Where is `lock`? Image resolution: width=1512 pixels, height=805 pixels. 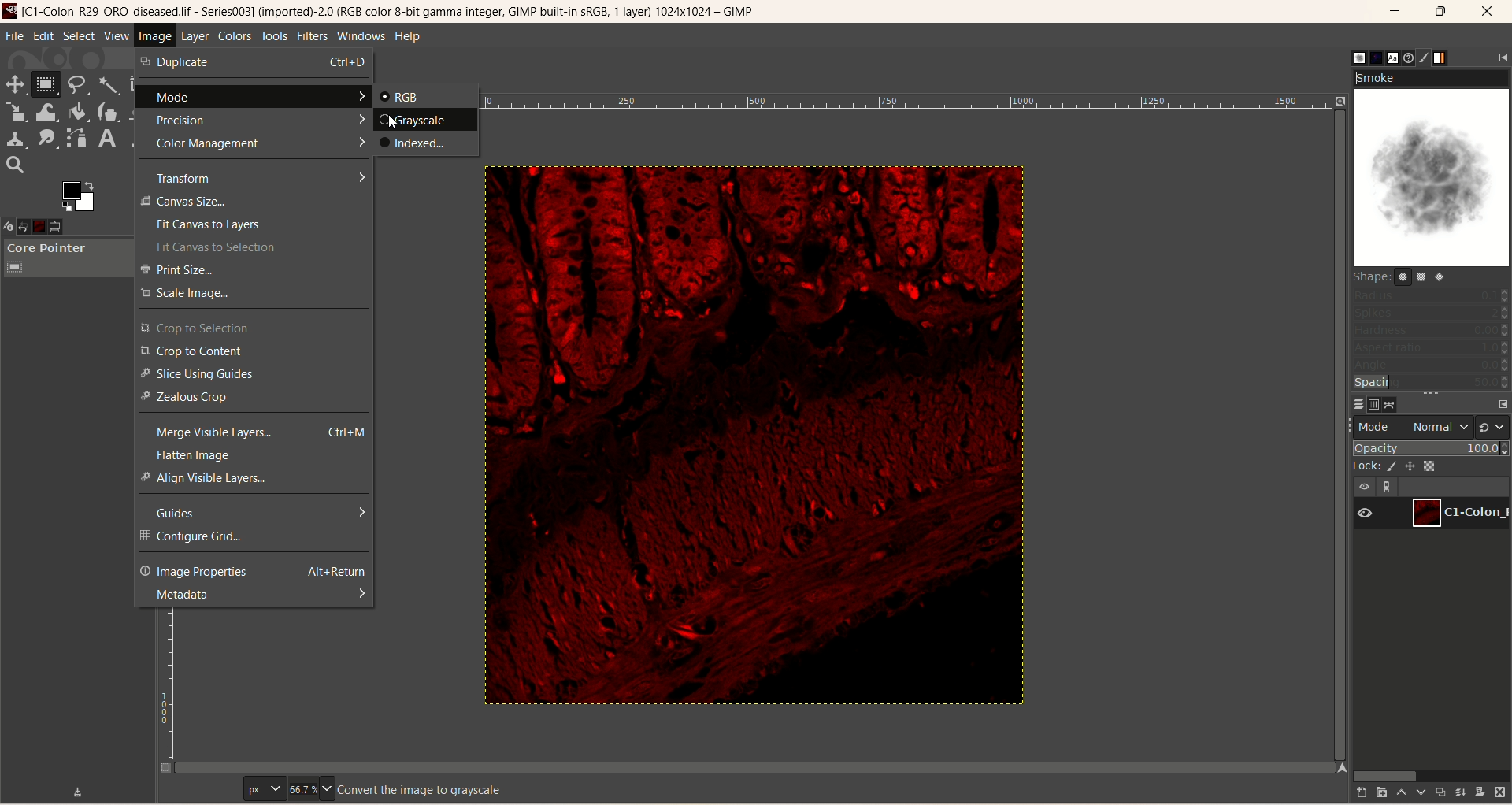 lock is located at coordinates (1368, 468).